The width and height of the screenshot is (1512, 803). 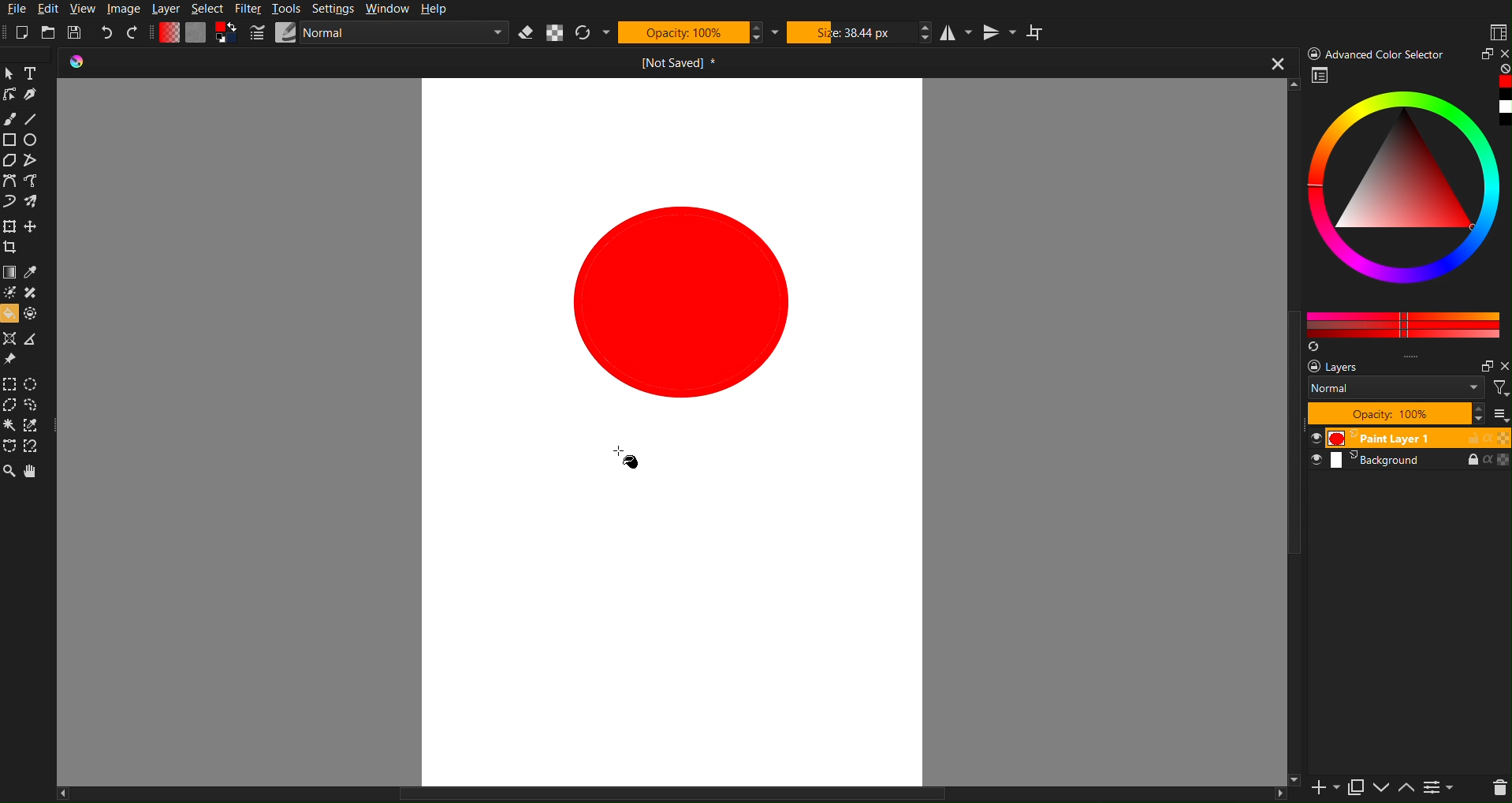 What do you see at coordinates (32, 202) in the screenshot?
I see `Multibrush` at bounding box center [32, 202].